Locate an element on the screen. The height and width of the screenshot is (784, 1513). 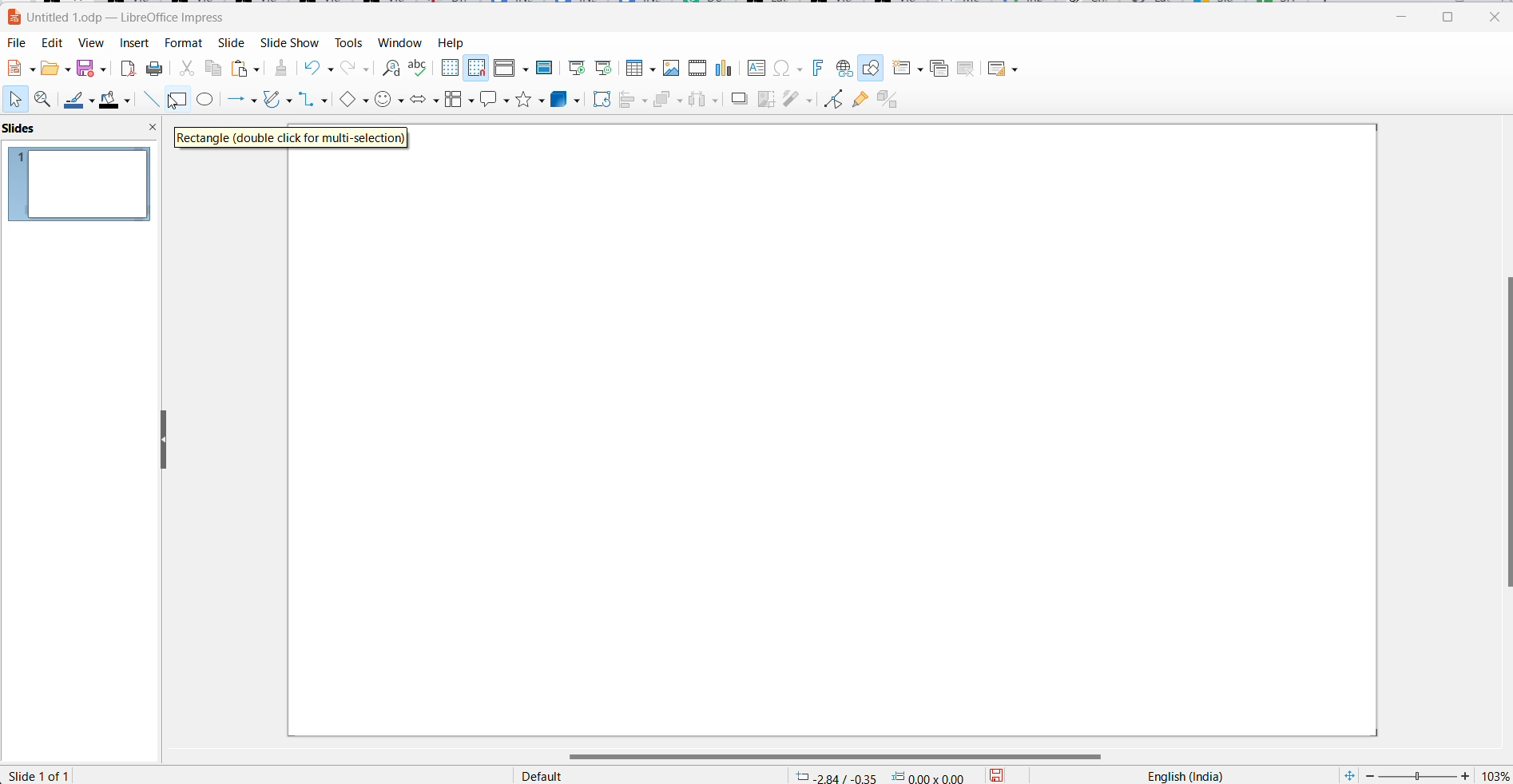
rectangle is located at coordinates (178, 101).